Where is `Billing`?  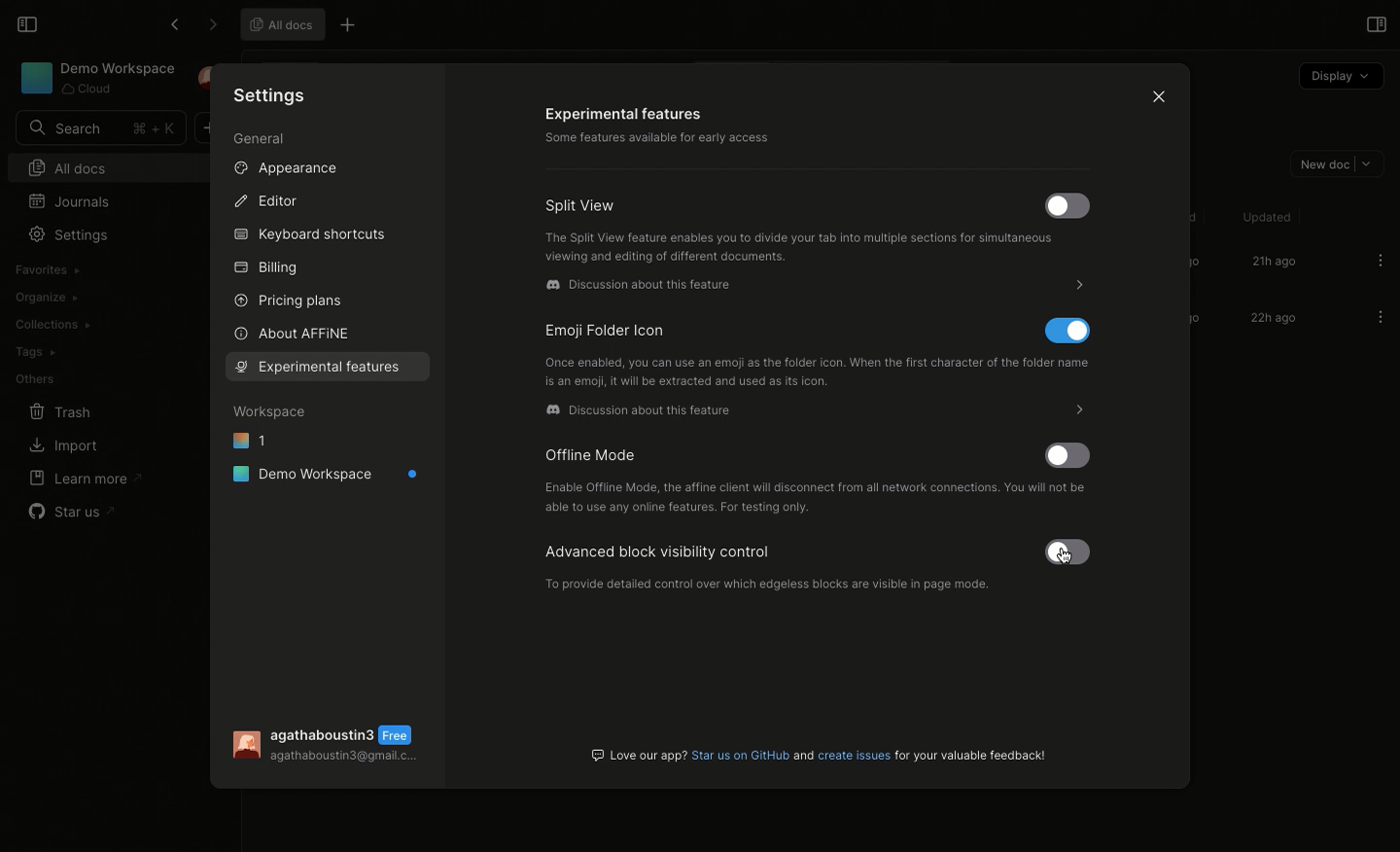 Billing is located at coordinates (266, 270).